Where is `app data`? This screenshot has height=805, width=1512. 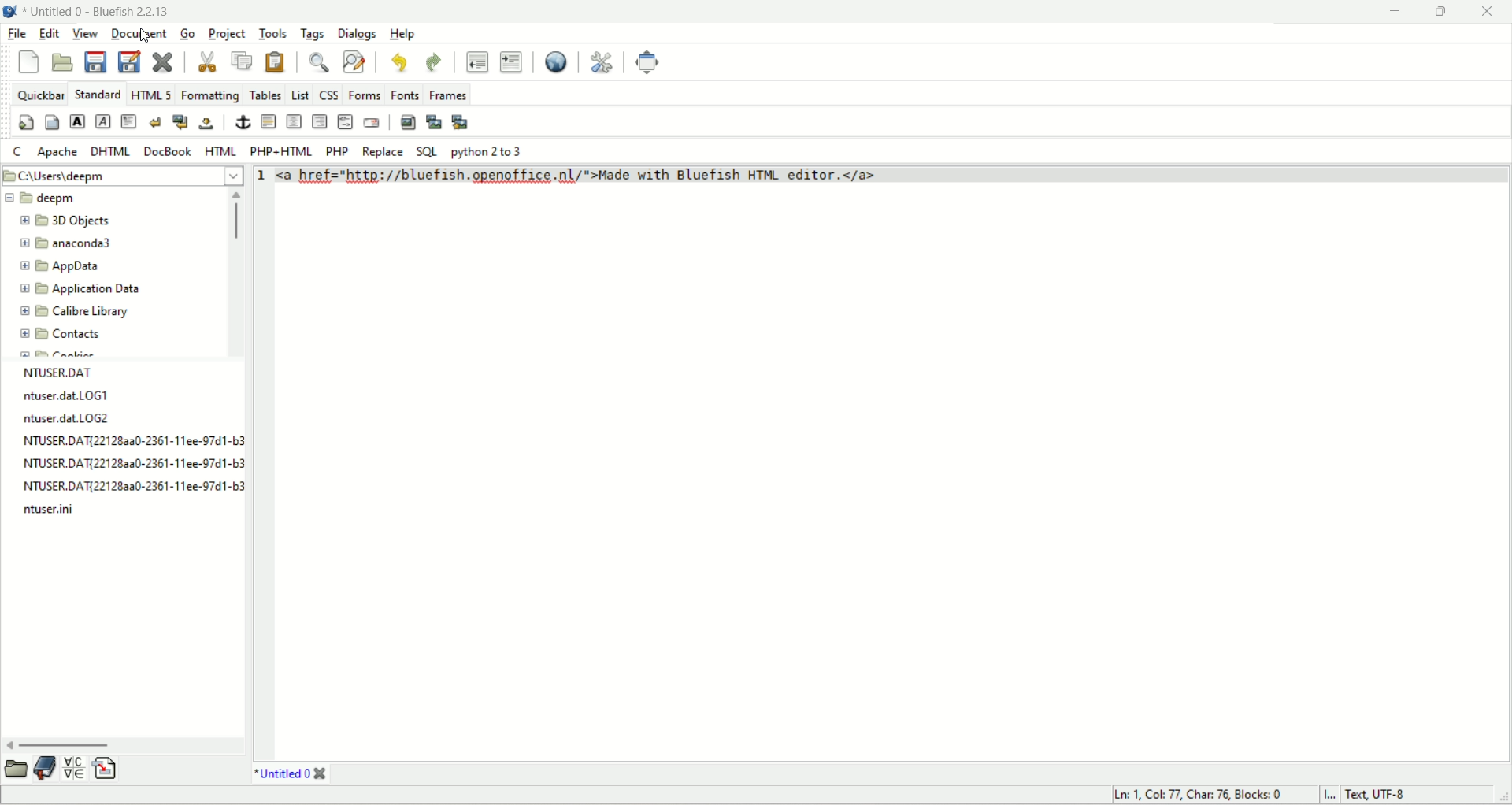
app data is located at coordinates (58, 268).